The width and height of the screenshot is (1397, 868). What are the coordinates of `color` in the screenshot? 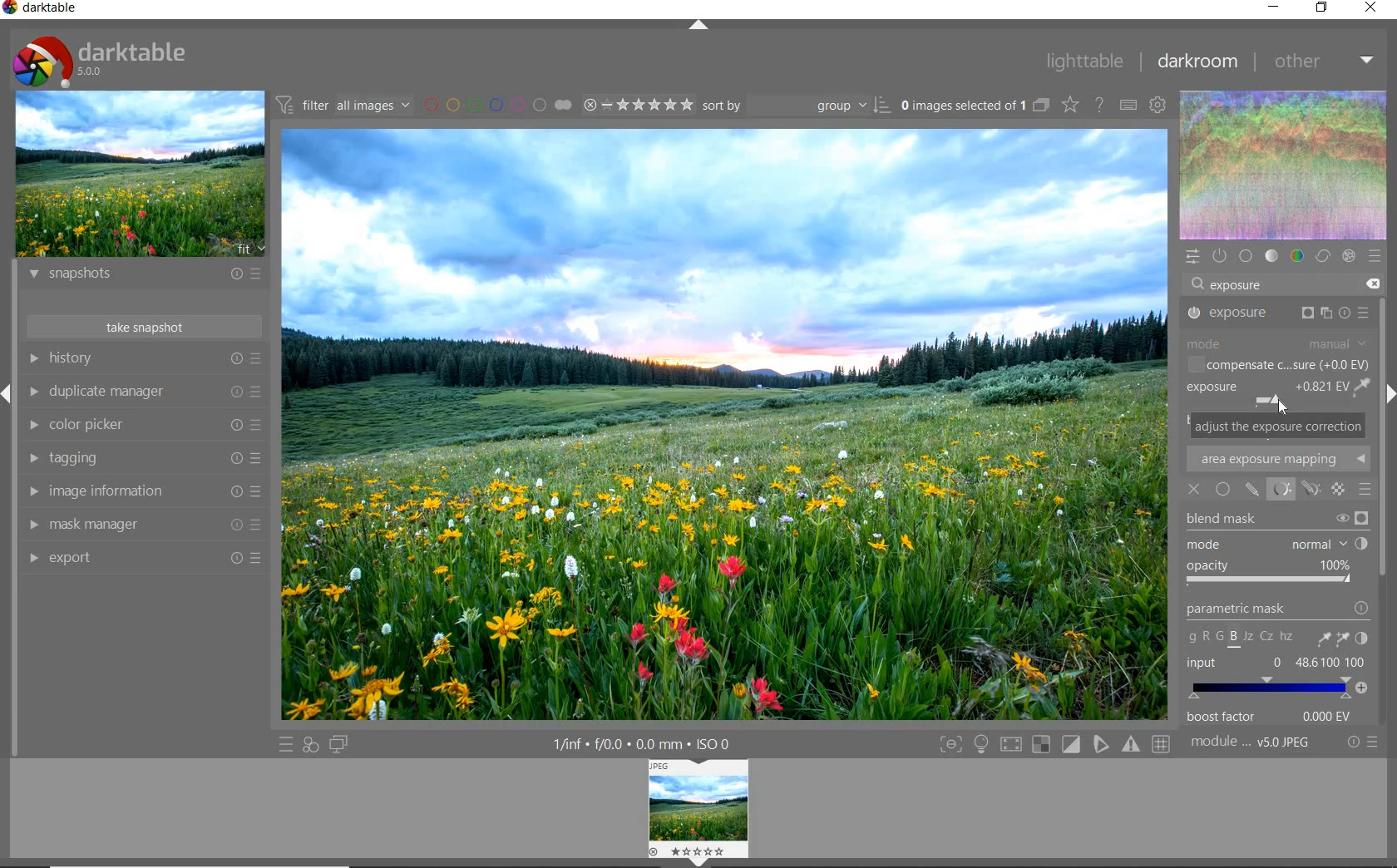 It's located at (1298, 254).